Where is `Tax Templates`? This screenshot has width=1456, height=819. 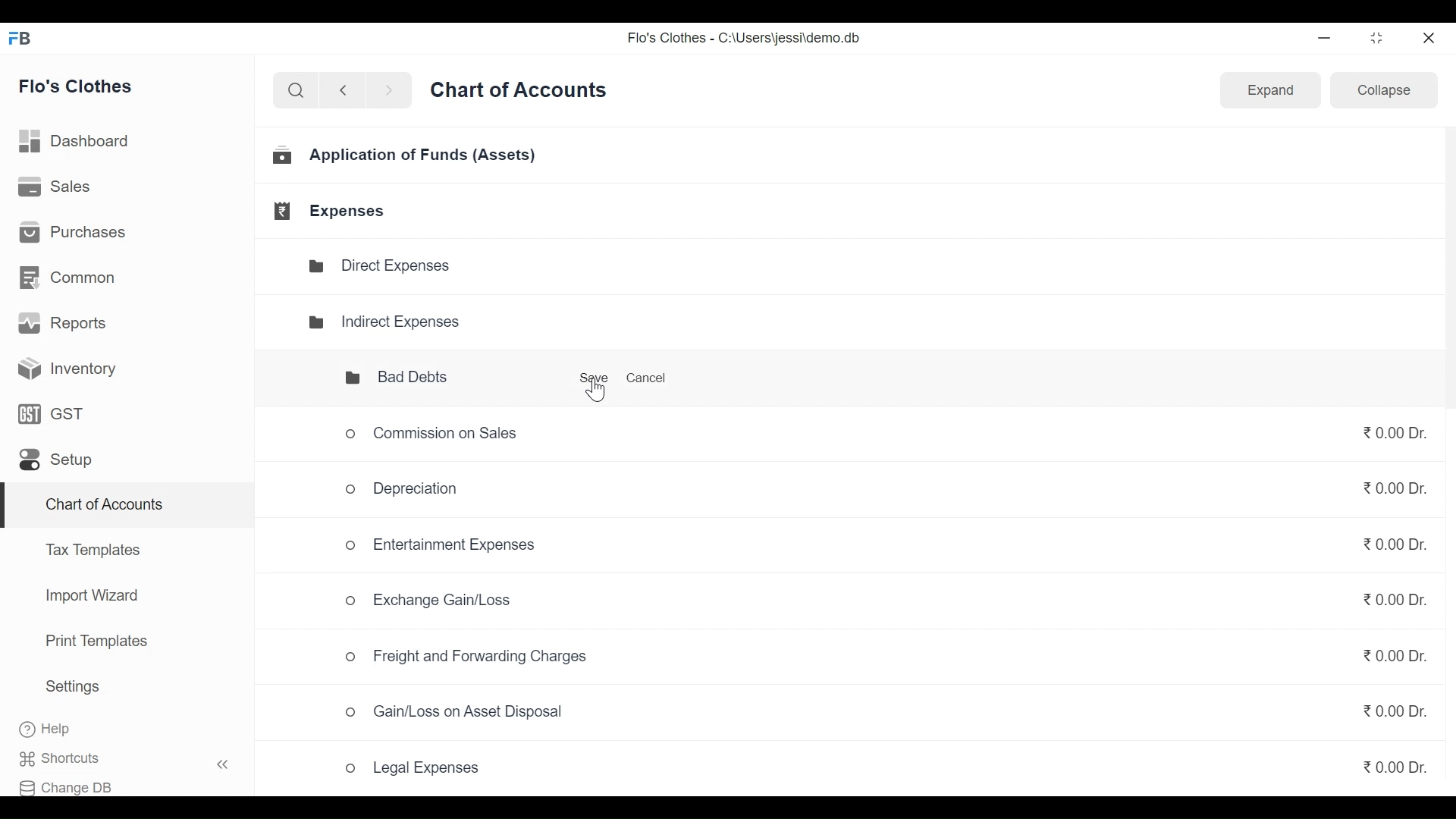
Tax Templates is located at coordinates (92, 549).